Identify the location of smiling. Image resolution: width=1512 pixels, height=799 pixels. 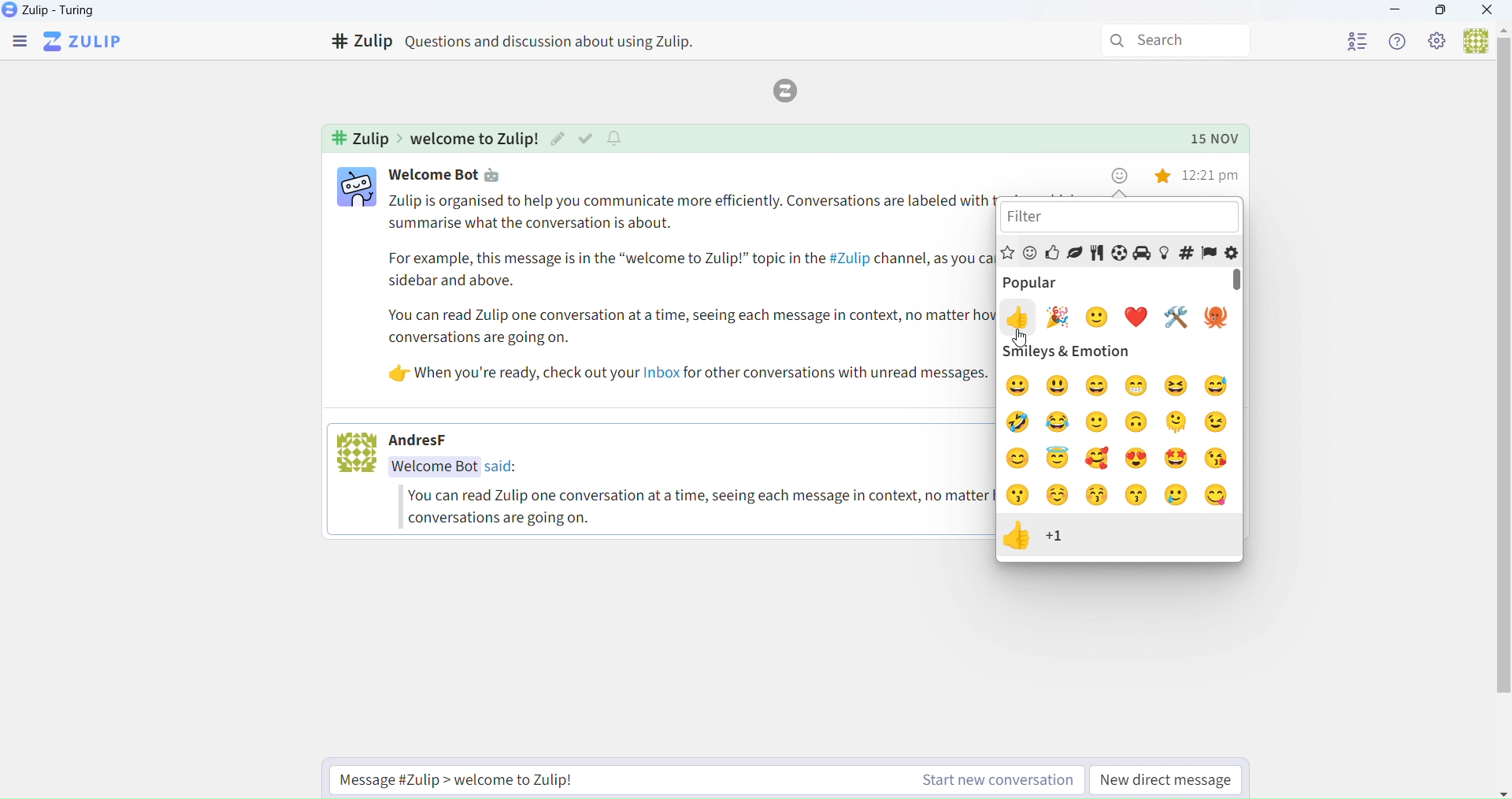
(1020, 387).